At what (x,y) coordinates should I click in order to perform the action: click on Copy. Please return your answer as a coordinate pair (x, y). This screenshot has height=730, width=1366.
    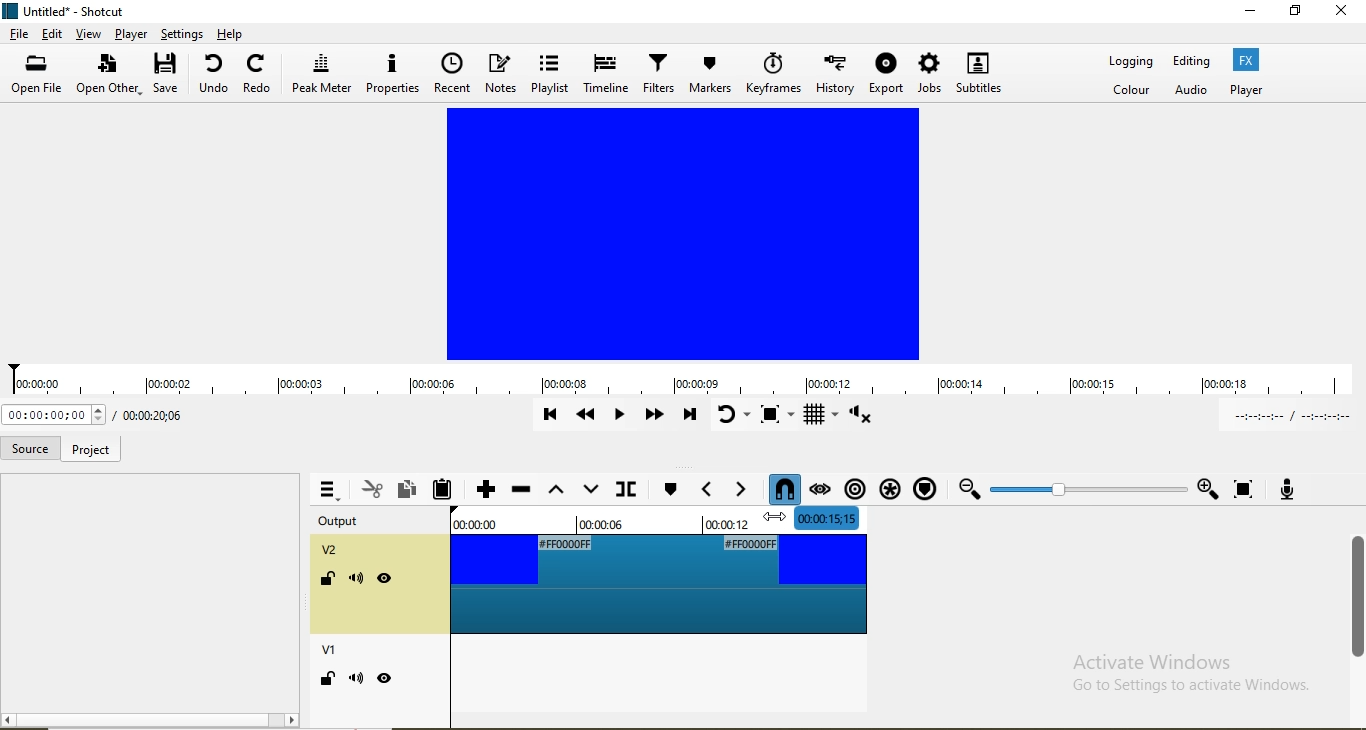
    Looking at the image, I should click on (410, 488).